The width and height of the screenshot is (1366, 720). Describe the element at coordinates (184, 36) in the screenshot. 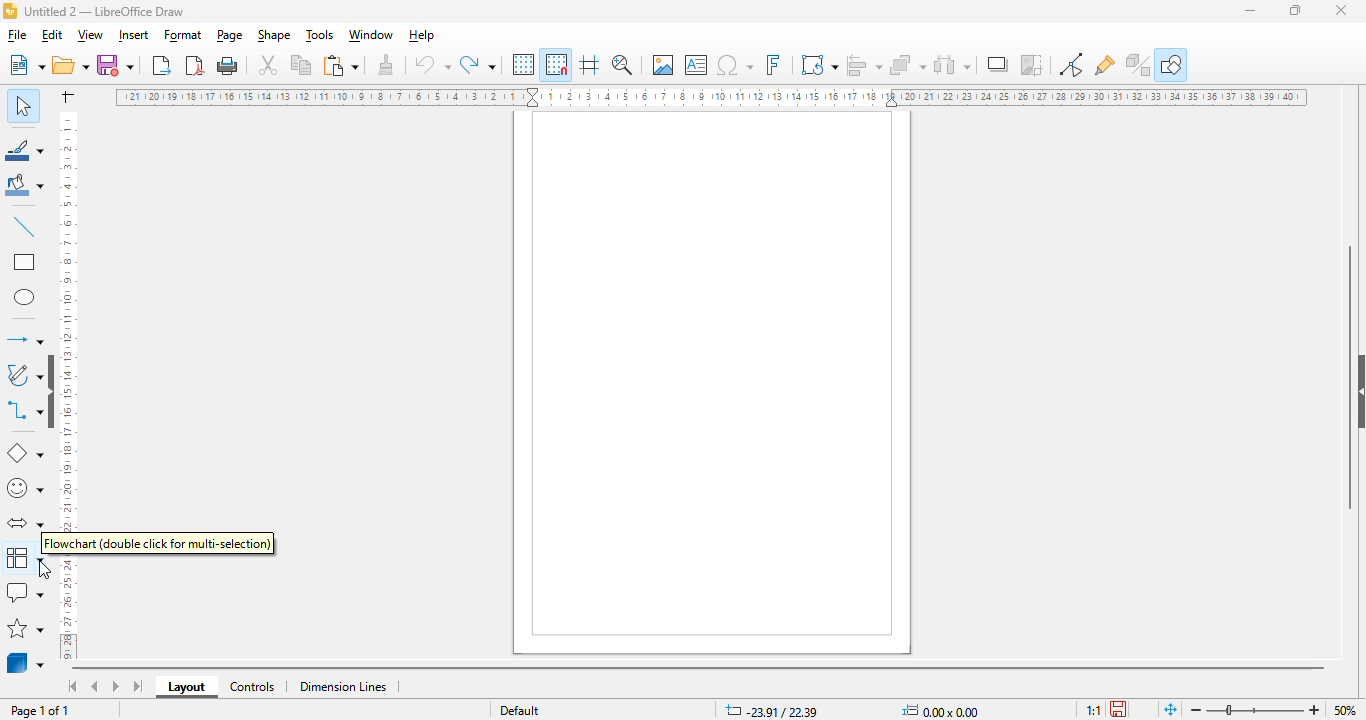

I see `format` at that location.